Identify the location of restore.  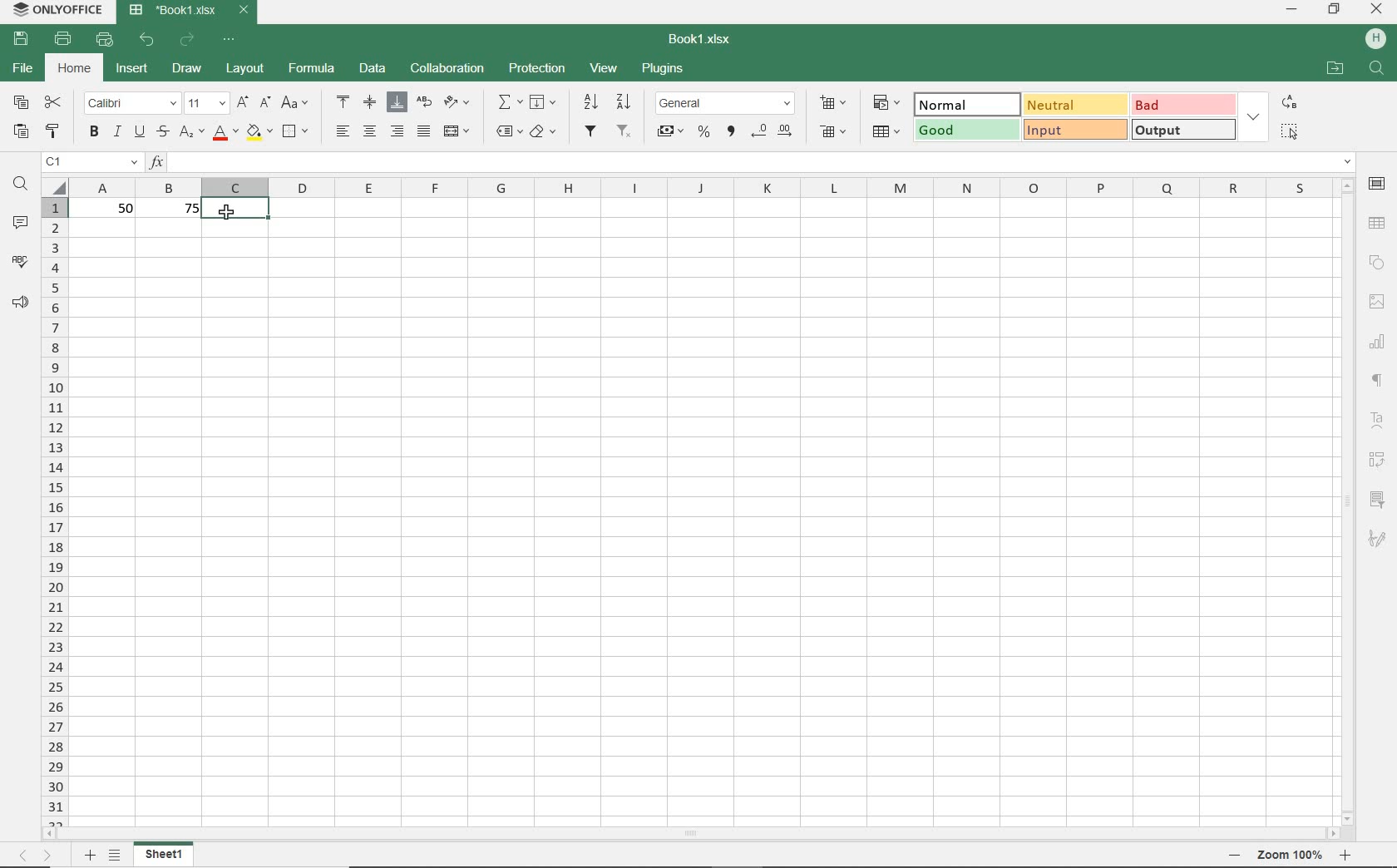
(1335, 11).